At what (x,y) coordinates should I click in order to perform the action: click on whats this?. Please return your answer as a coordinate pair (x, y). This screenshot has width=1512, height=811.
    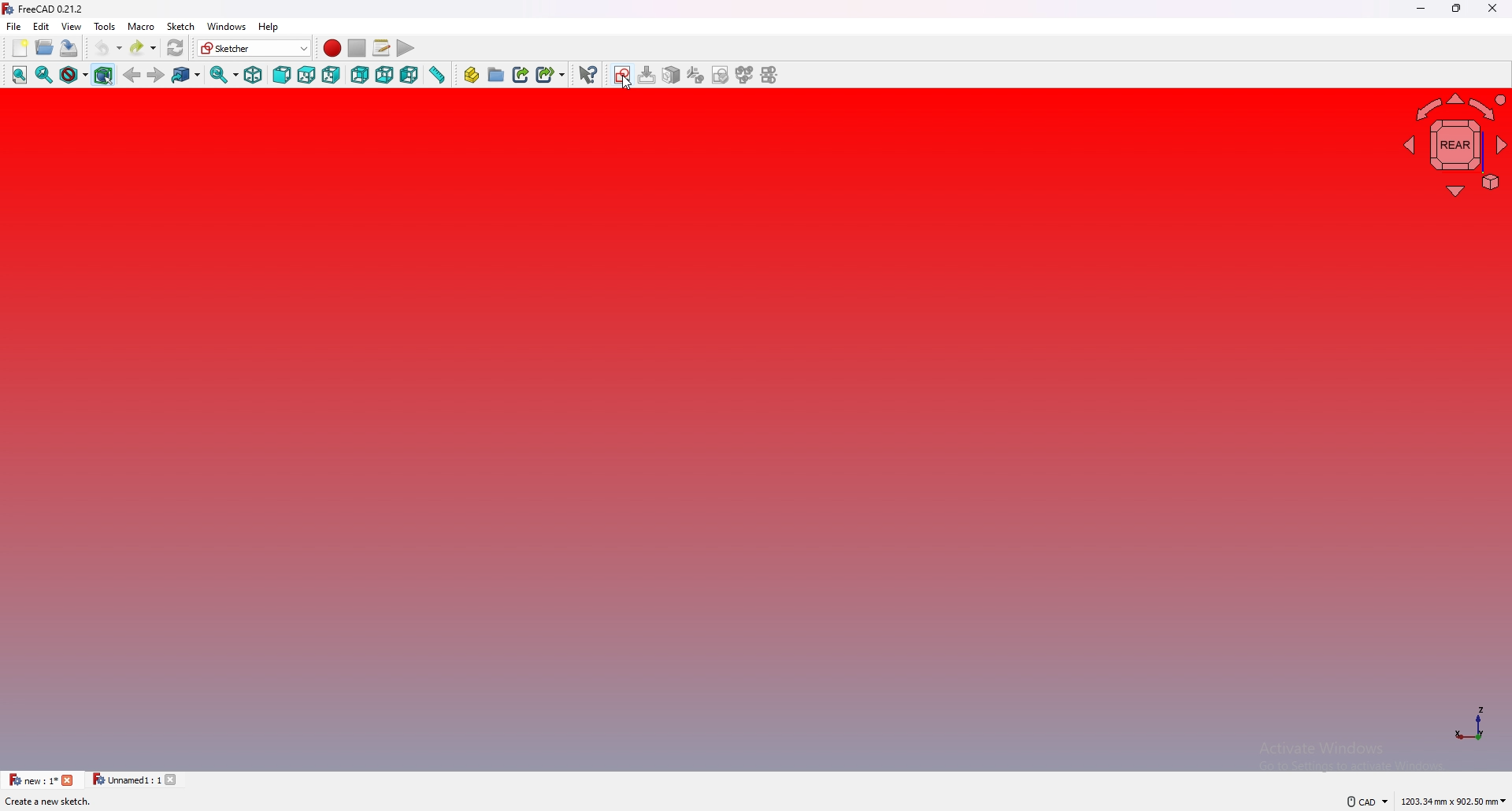
    Looking at the image, I should click on (588, 75).